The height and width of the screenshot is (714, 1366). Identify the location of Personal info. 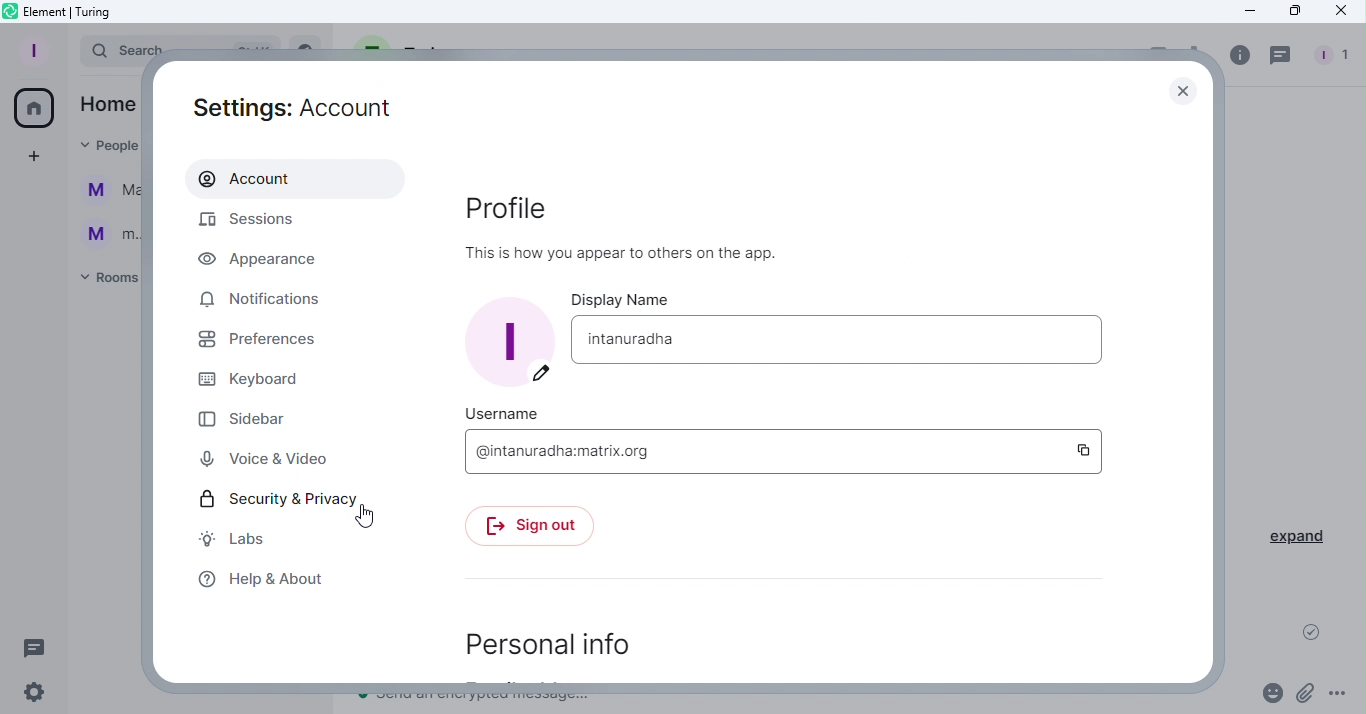
(544, 635).